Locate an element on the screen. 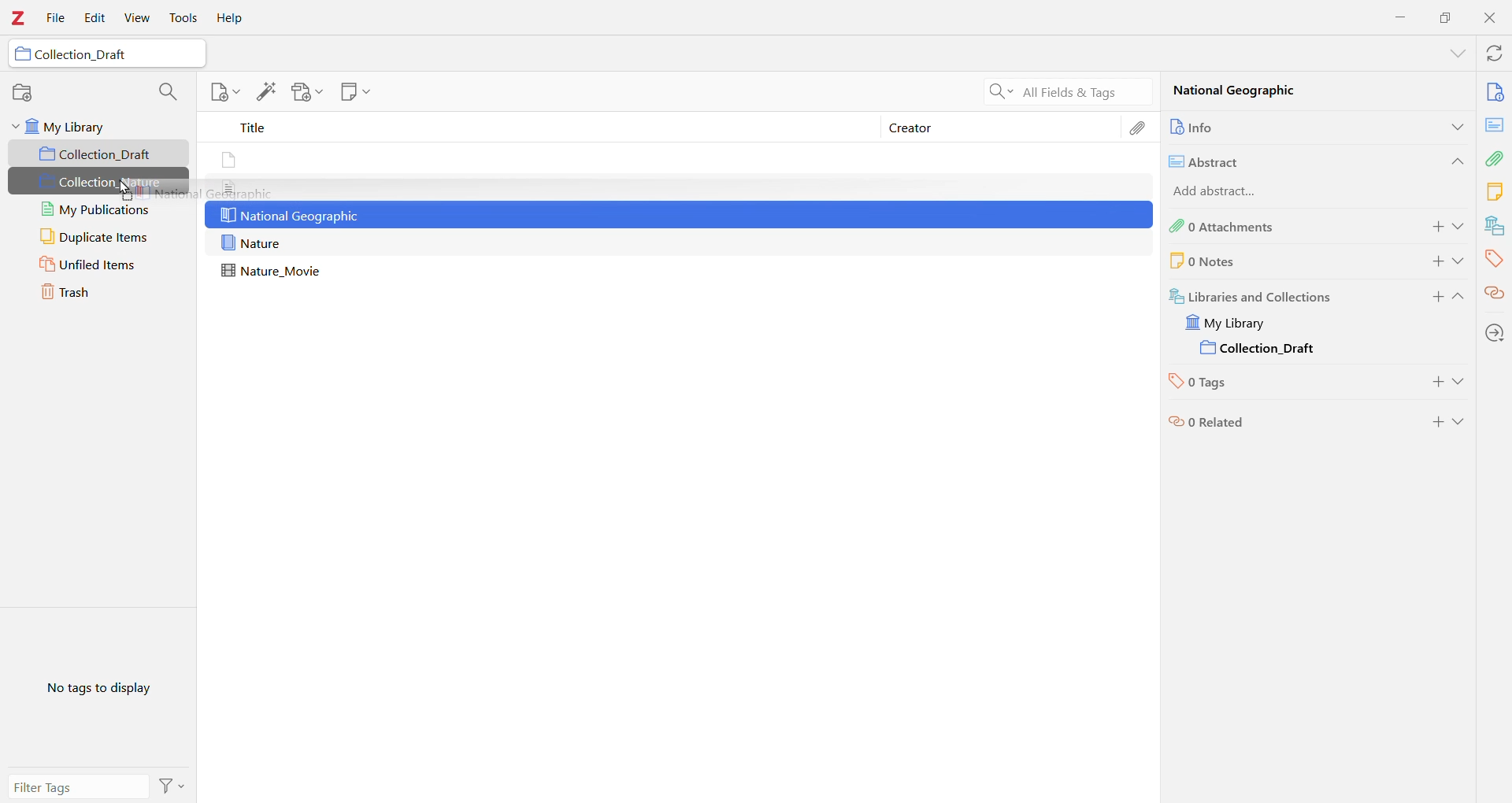  Abstract is located at coordinates (1290, 160).